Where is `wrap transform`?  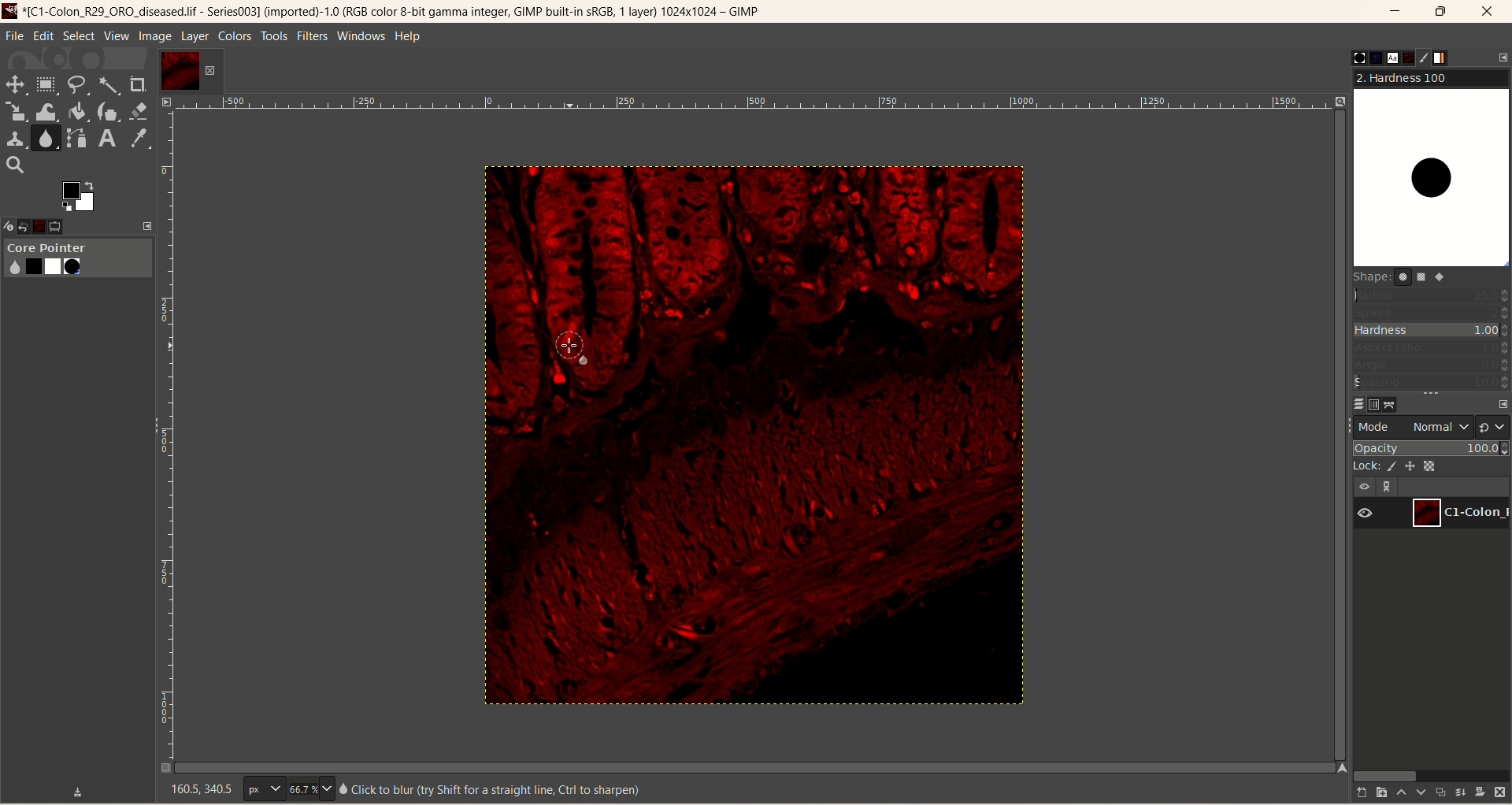 wrap transform is located at coordinates (45, 113).